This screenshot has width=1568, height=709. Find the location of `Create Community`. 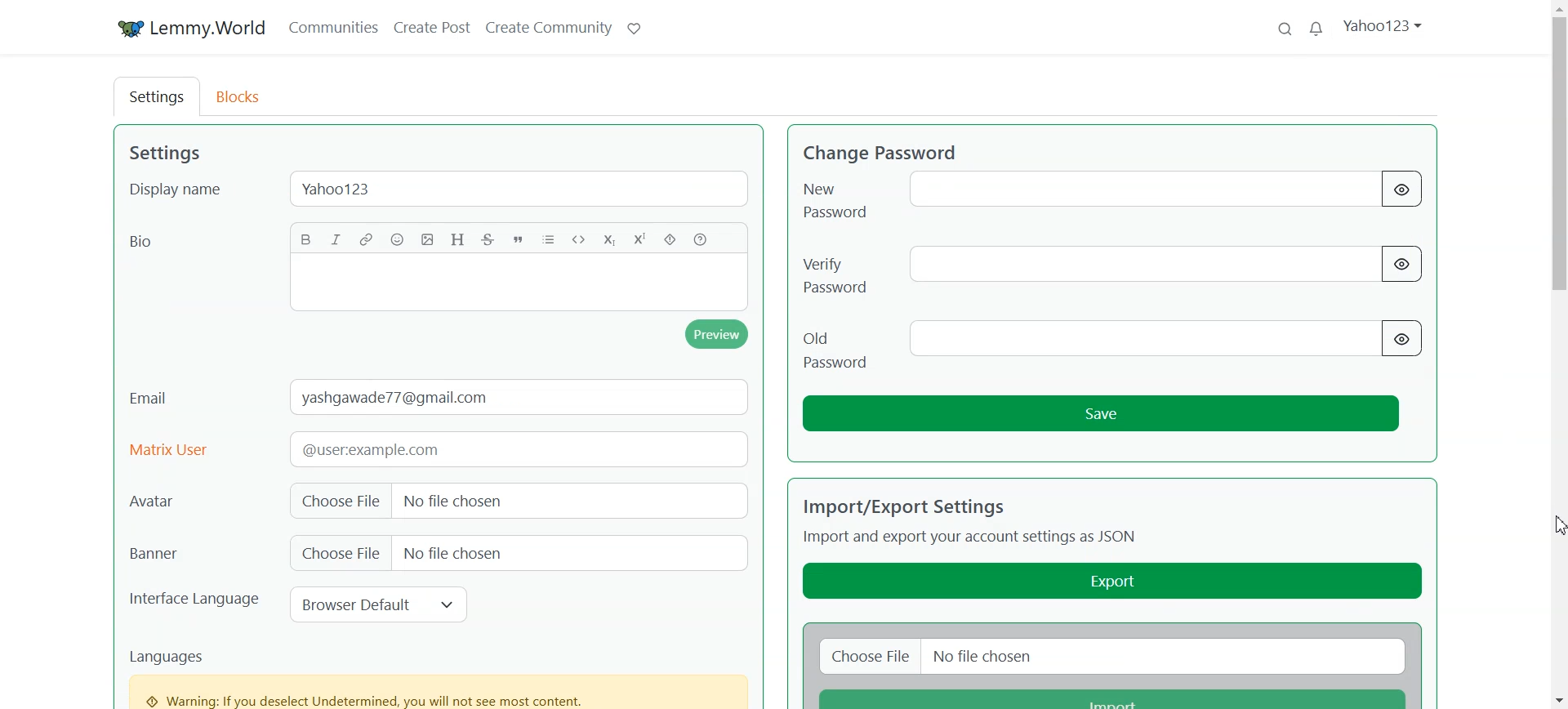

Create Community is located at coordinates (547, 26).